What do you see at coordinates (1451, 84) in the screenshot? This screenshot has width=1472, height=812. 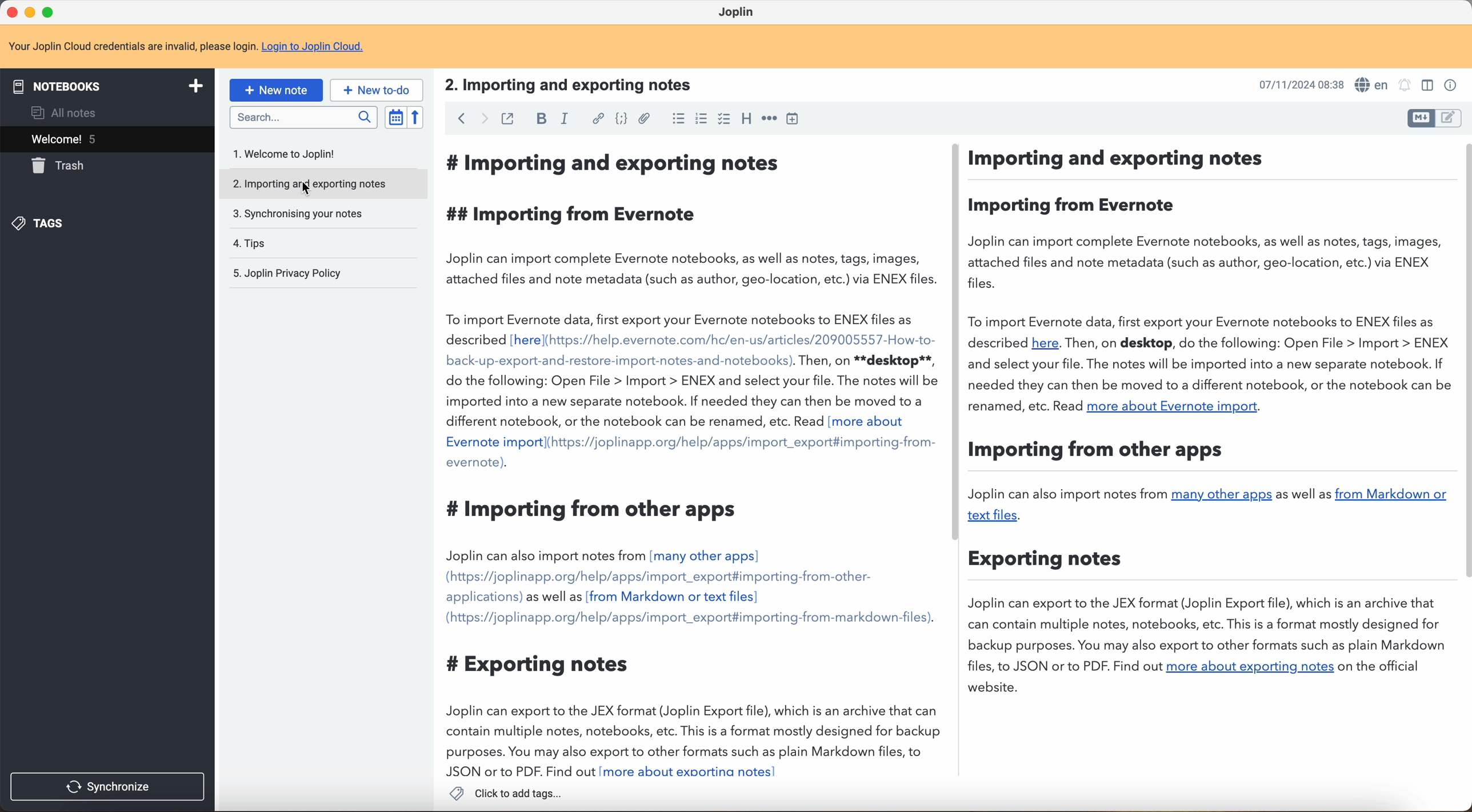 I see `note properties` at bounding box center [1451, 84].